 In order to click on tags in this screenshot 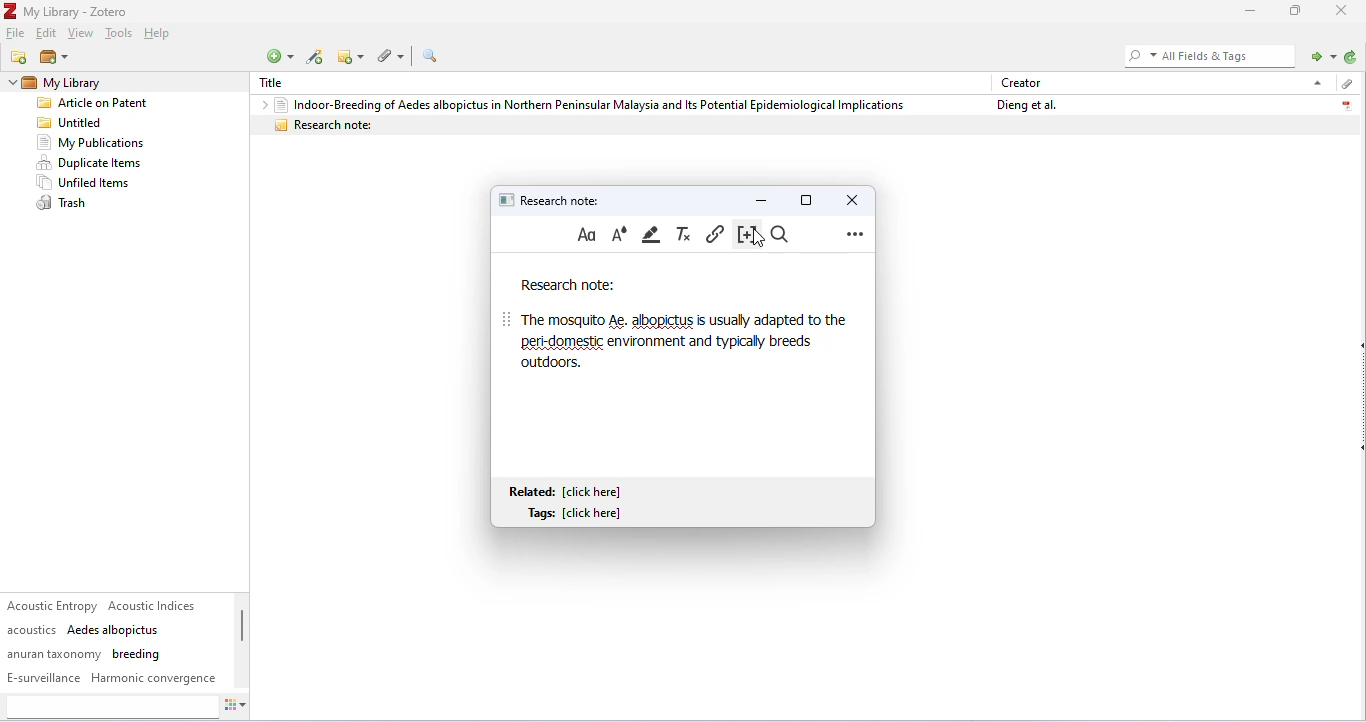, I will do `click(113, 642)`.